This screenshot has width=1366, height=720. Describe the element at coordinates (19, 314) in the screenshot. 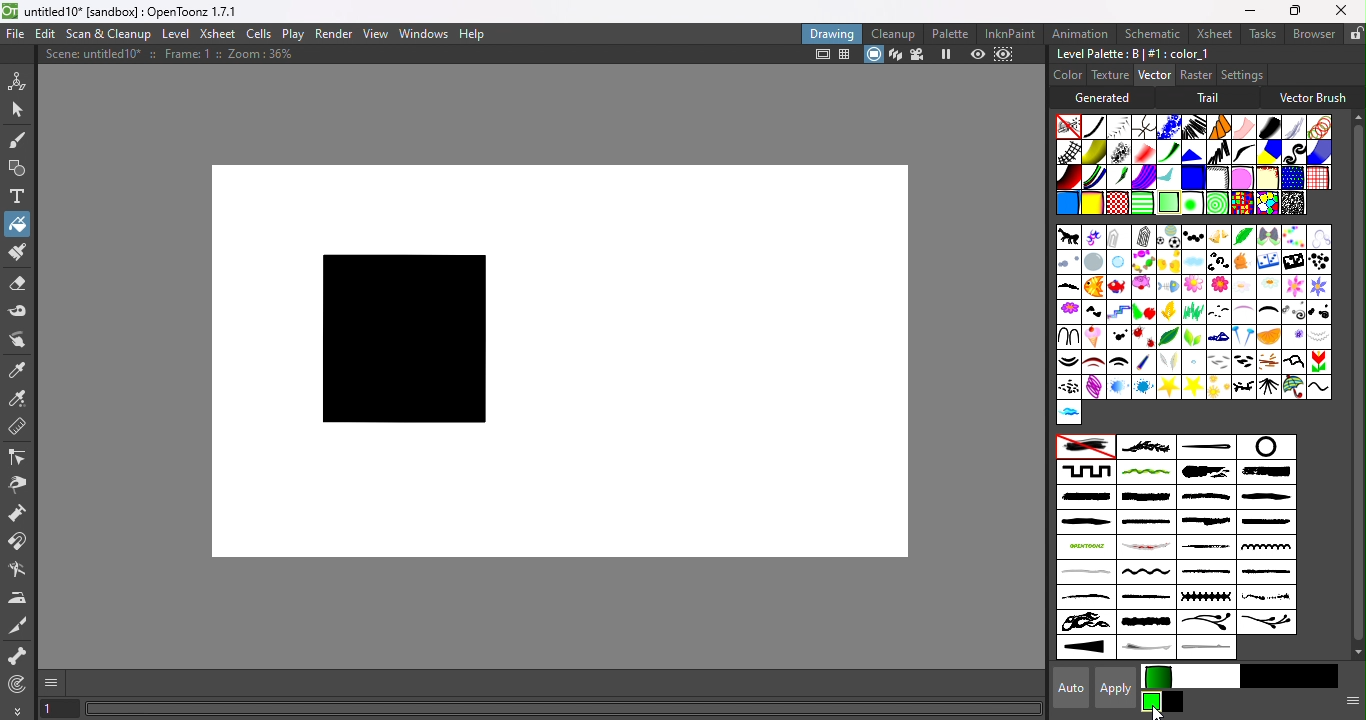

I see `Tape tool` at that location.